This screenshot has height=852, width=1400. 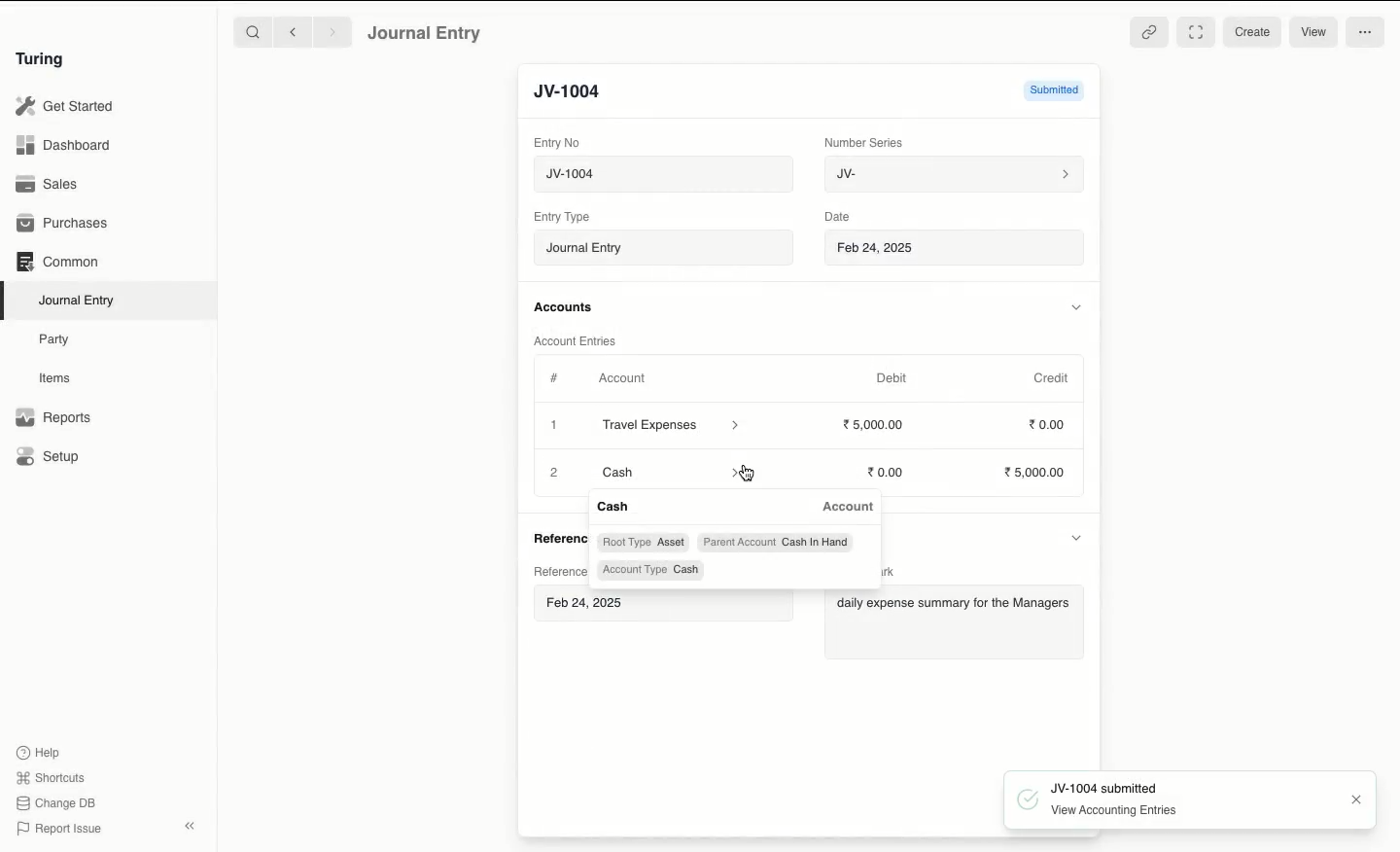 I want to click on emblem, so click(x=1029, y=799).